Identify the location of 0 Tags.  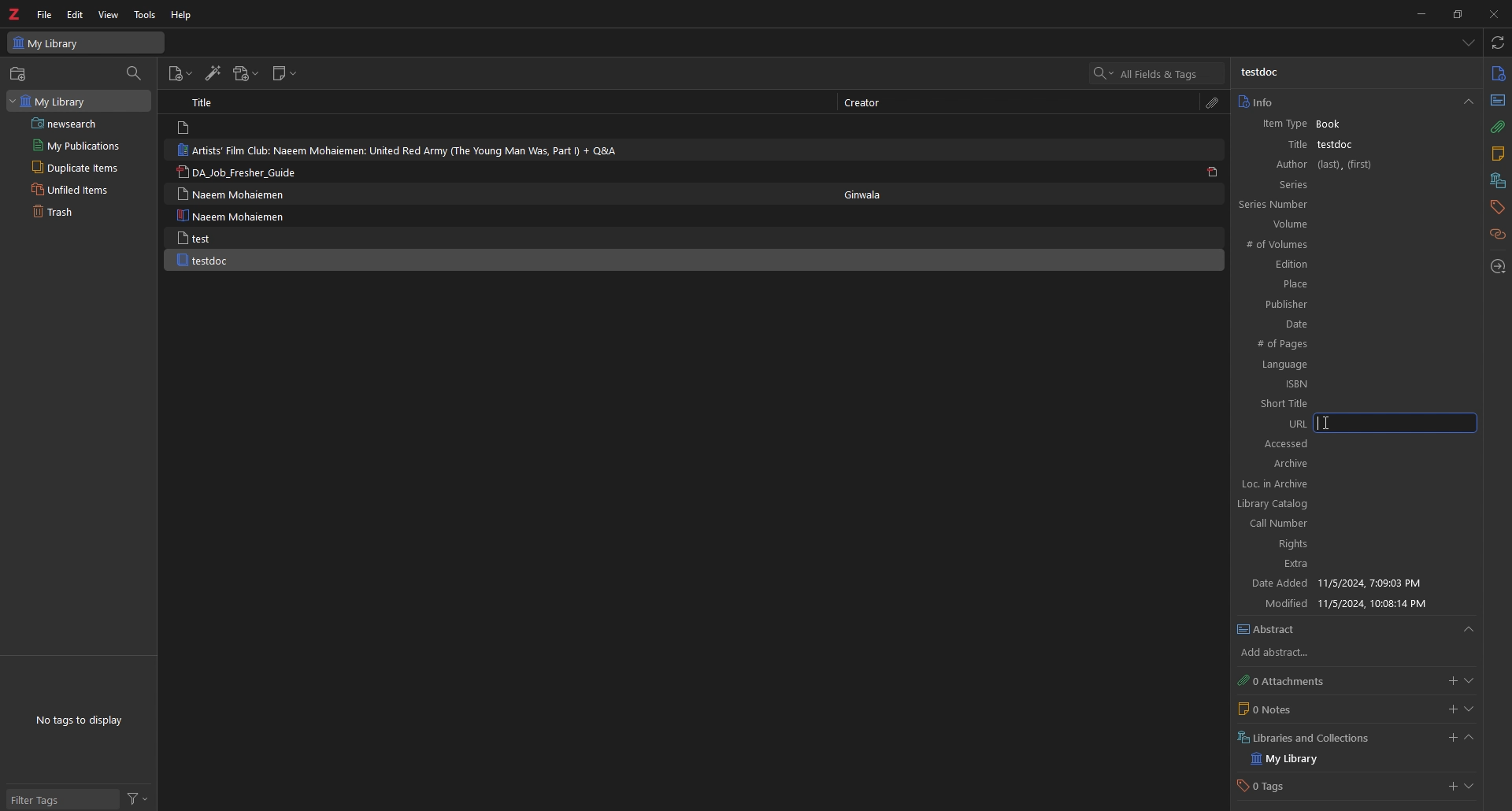
(1273, 786).